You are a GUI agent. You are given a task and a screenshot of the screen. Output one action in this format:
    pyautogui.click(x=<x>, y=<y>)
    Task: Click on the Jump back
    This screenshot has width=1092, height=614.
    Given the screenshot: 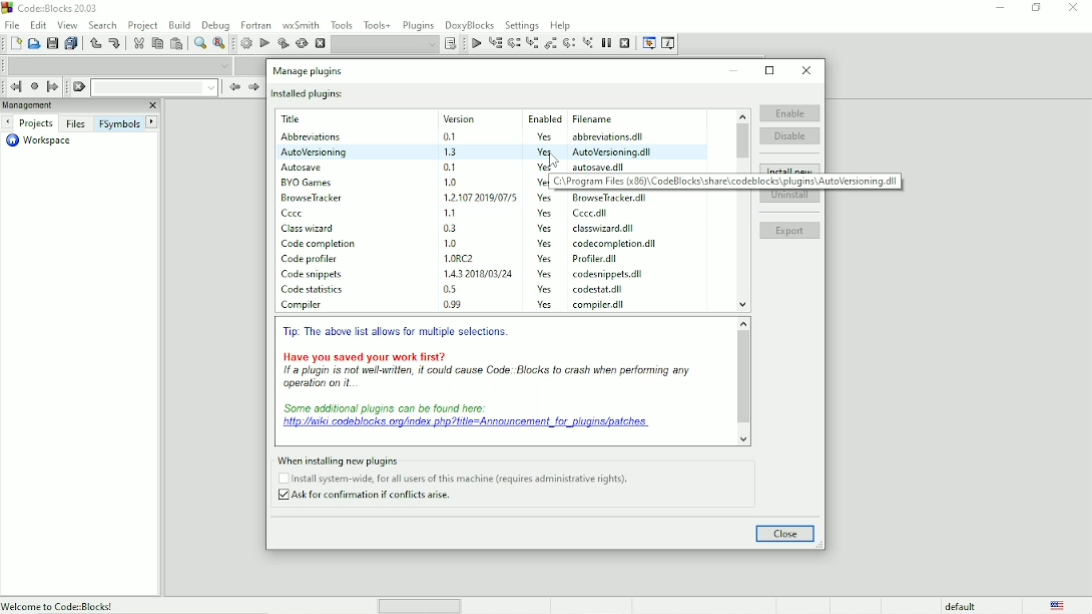 What is the action you would take?
    pyautogui.click(x=13, y=87)
    